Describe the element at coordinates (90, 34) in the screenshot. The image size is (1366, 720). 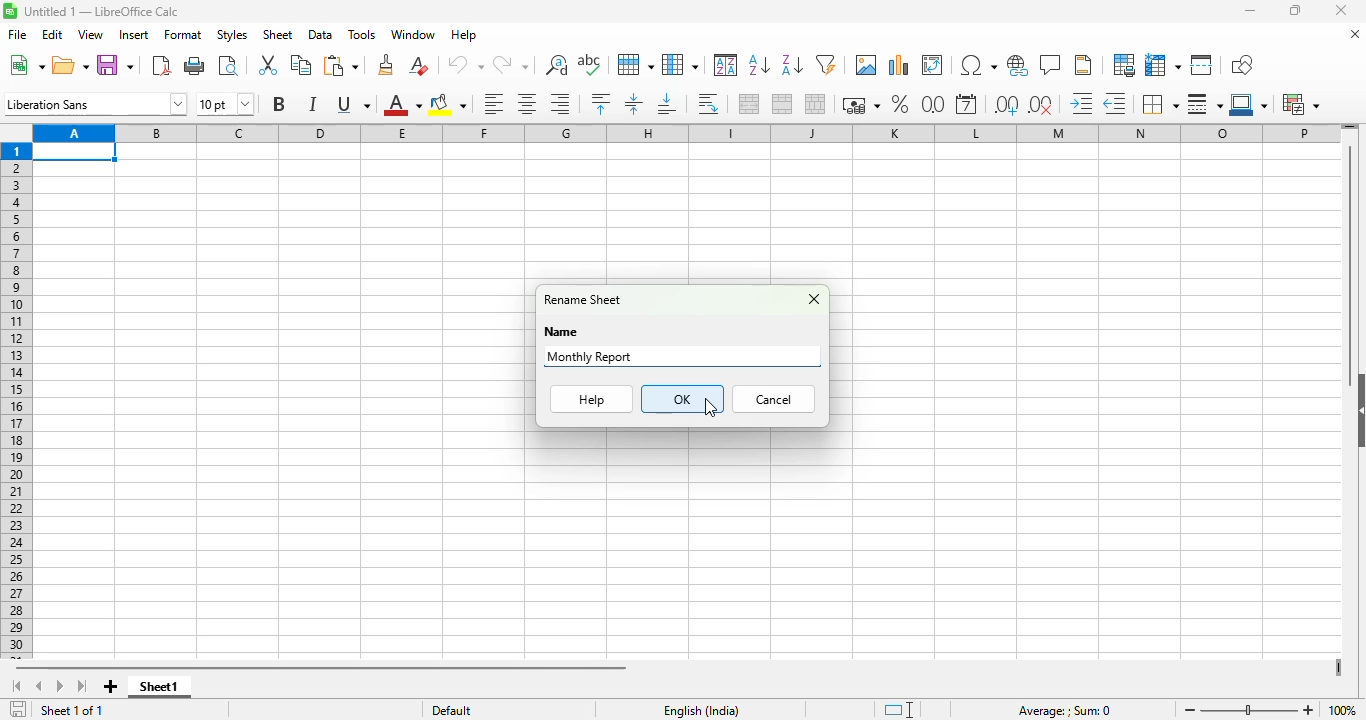
I see `view` at that location.